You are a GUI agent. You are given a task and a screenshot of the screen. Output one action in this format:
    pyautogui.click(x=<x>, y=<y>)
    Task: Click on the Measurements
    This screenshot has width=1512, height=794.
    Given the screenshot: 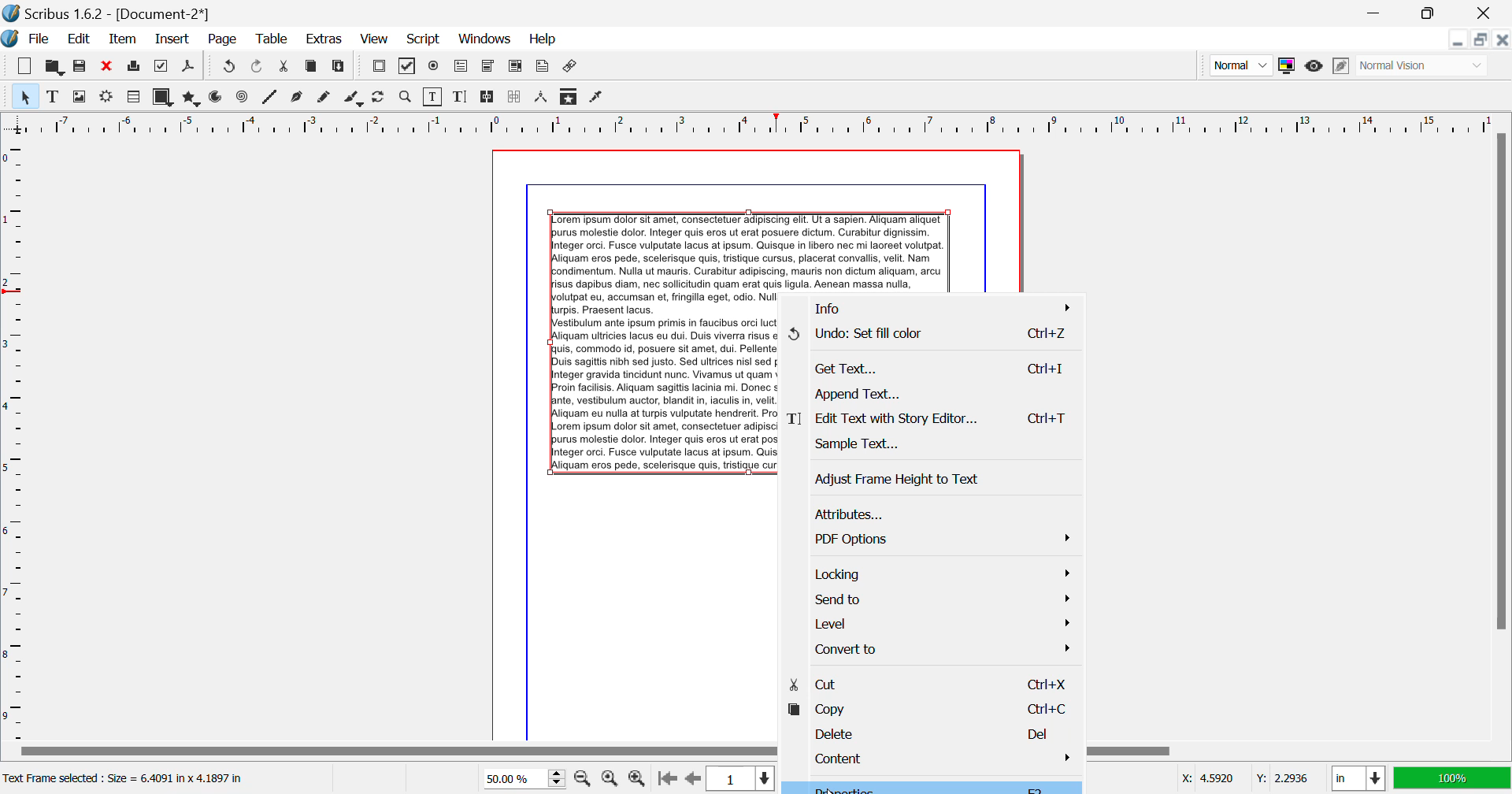 What is the action you would take?
    pyautogui.click(x=543, y=98)
    